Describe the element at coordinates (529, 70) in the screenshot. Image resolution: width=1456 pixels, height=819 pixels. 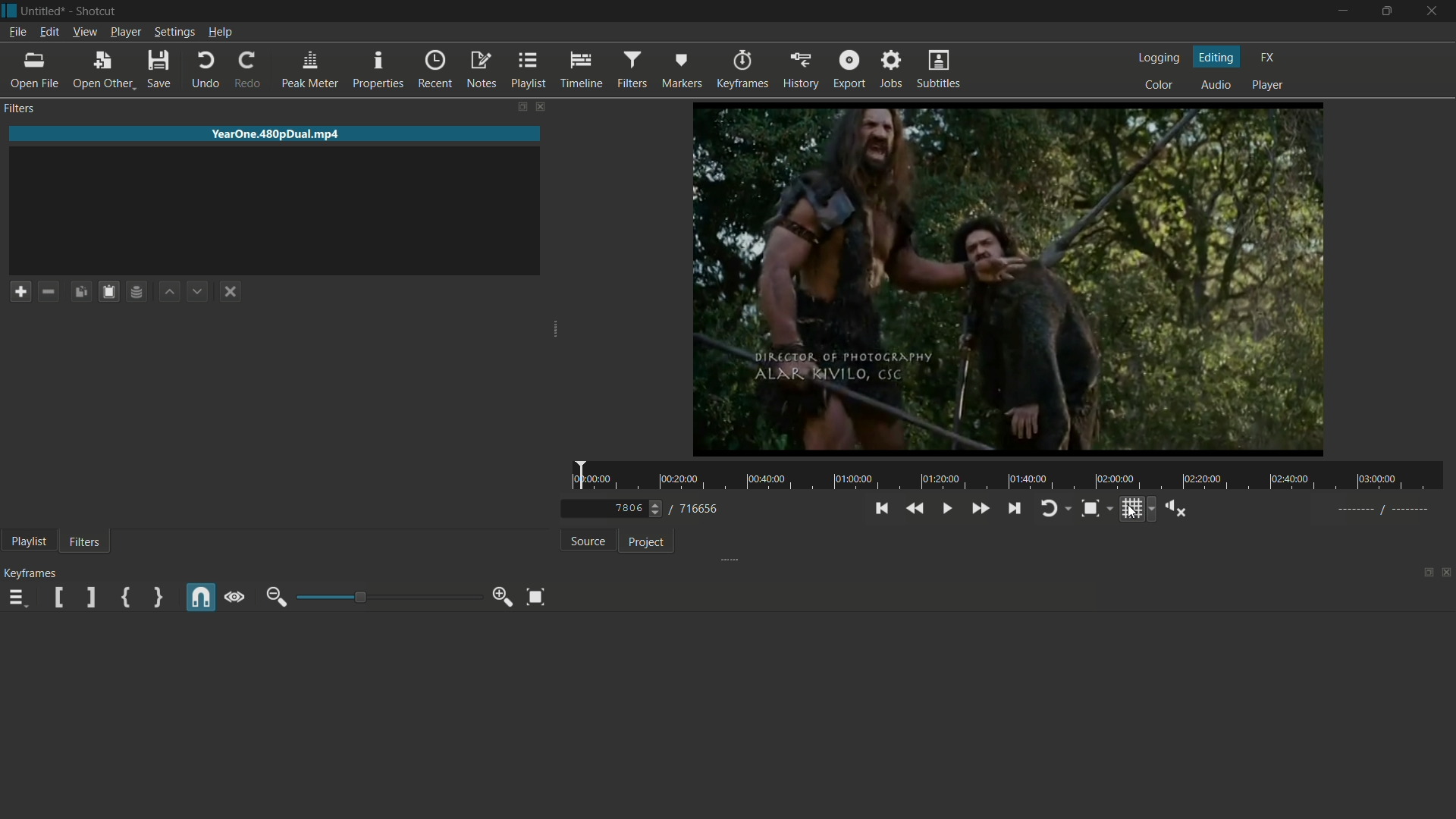
I see `playlist` at that location.